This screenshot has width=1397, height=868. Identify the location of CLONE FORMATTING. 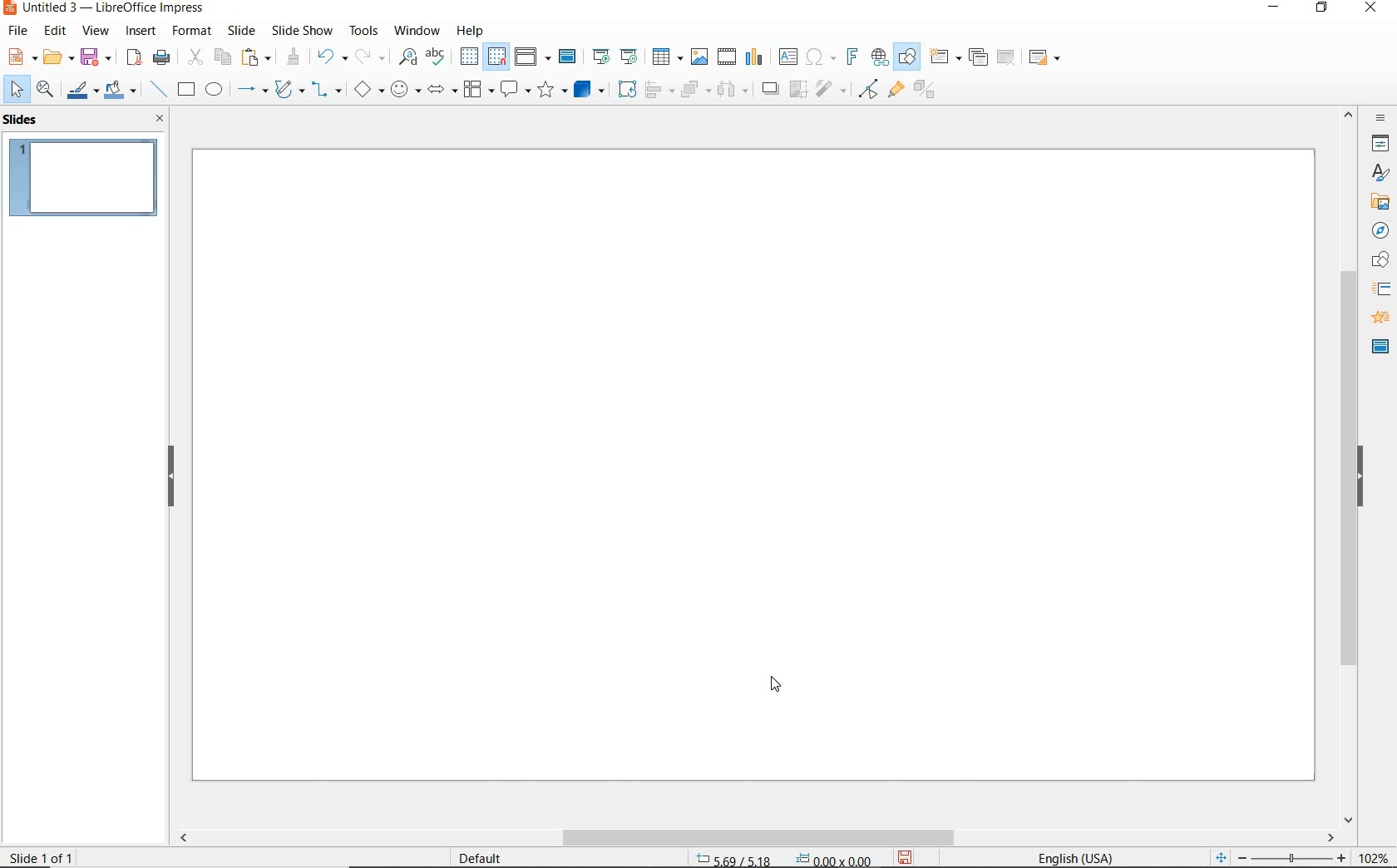
(294, 57).